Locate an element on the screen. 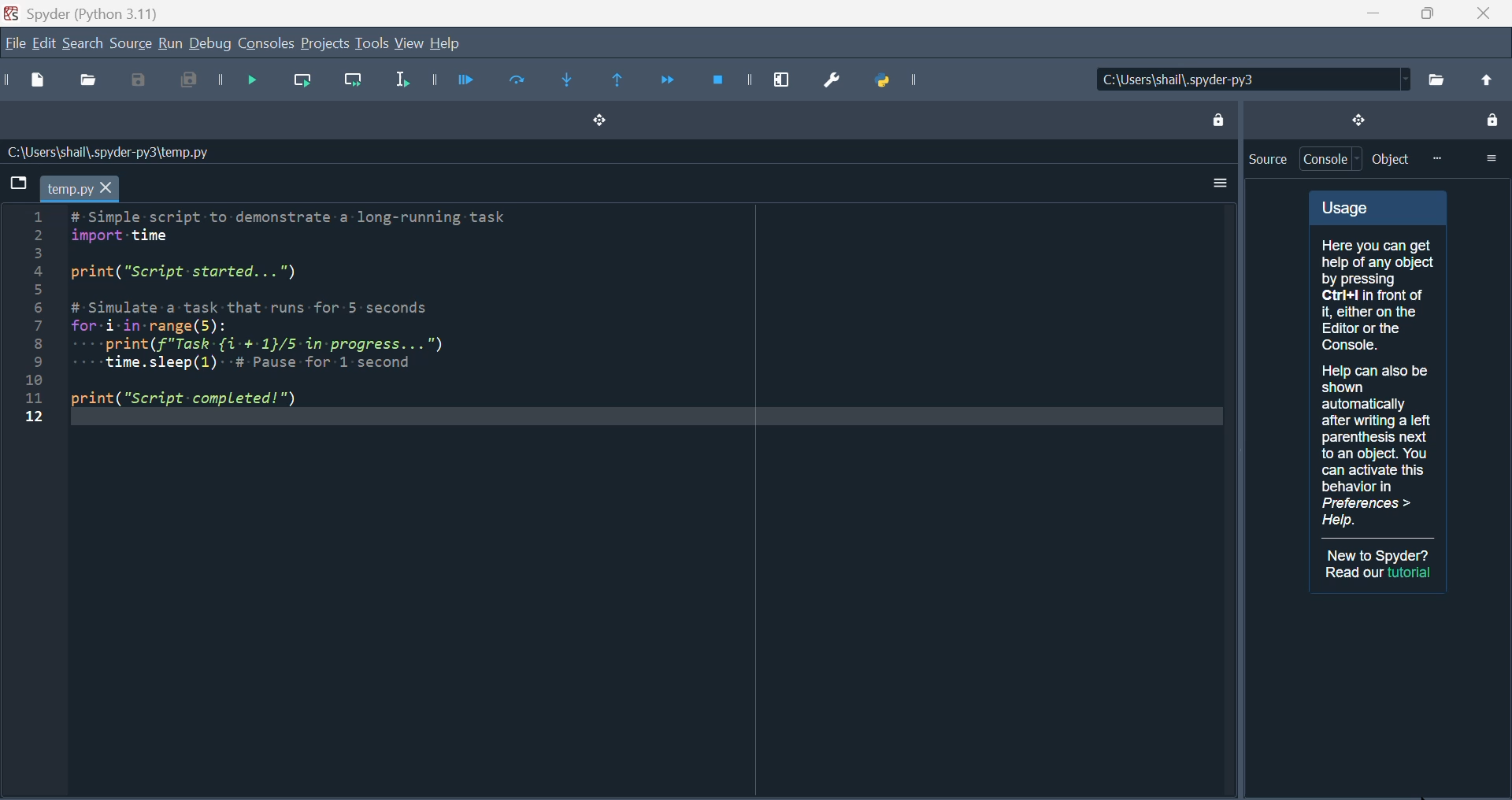 Image resolution: width=1512 pixels, height=800 pixels. Close is located at coordinates (1482, 13).